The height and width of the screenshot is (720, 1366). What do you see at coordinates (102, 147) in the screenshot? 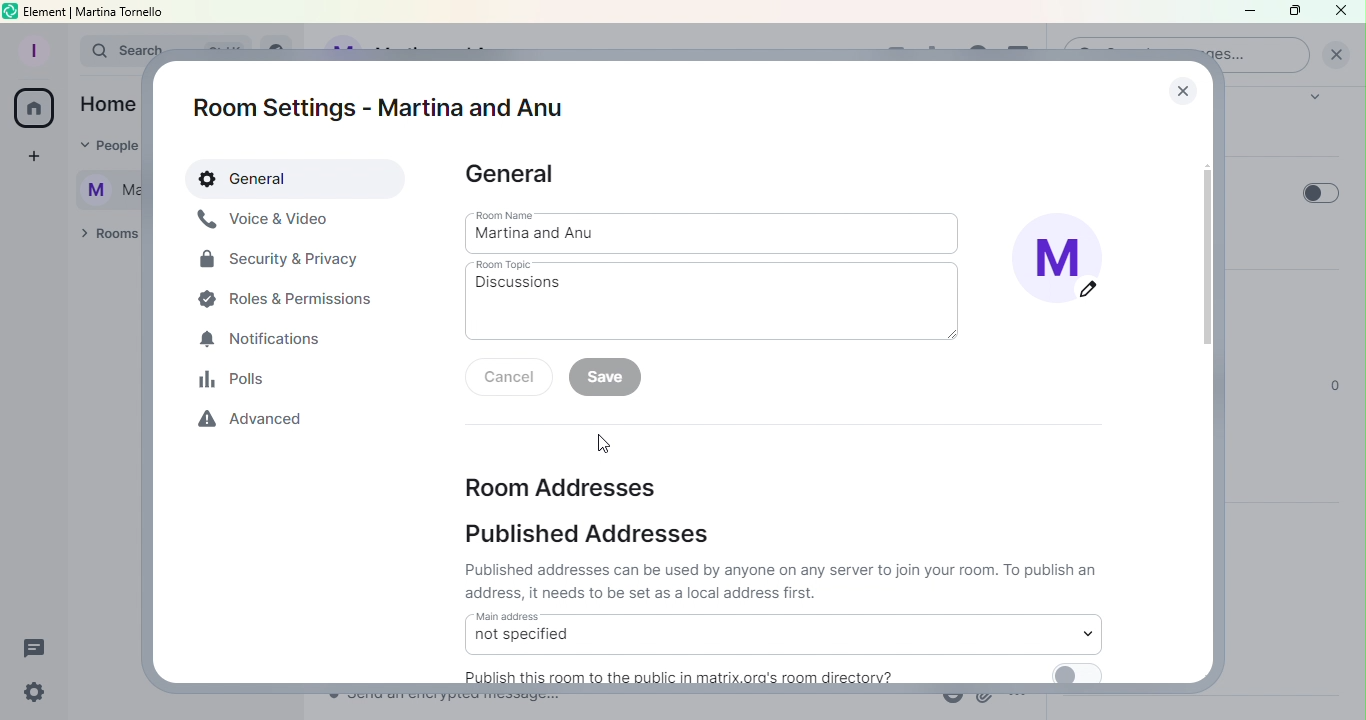
I see `People` at bounding box center [102, 147].